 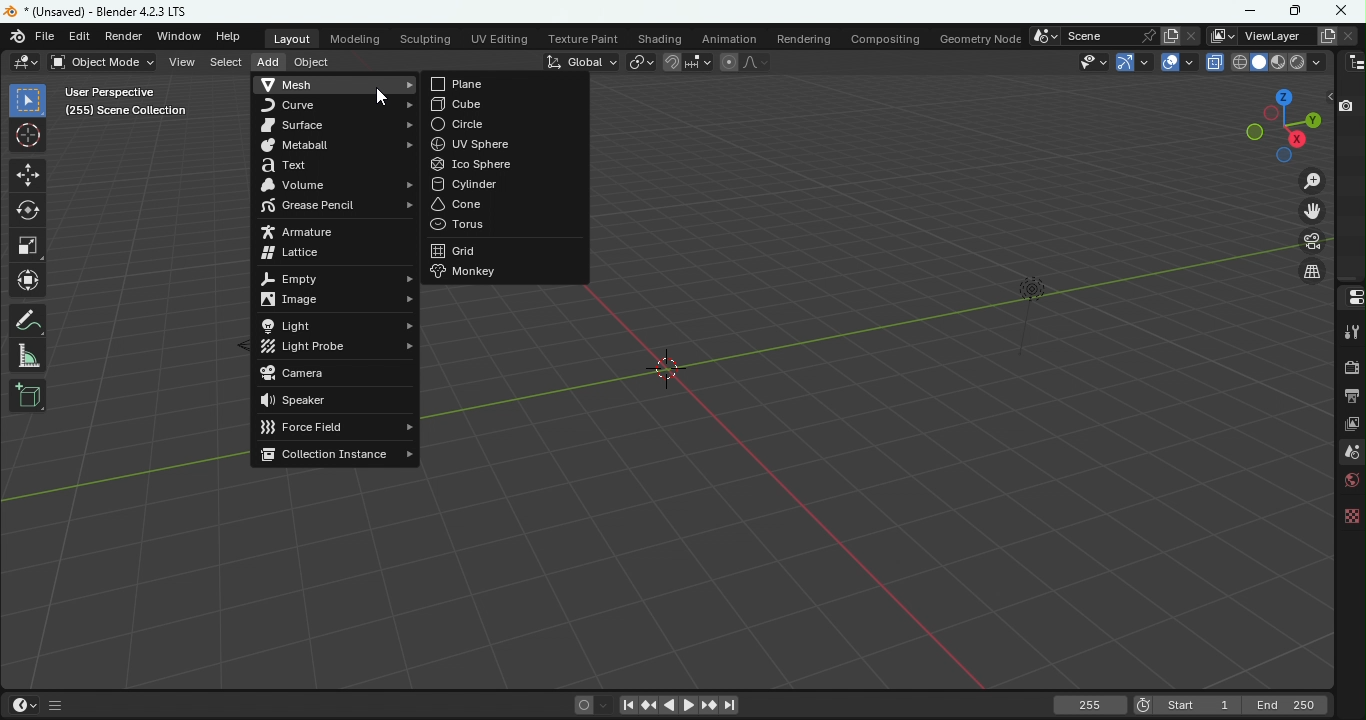 I want to click on Snapping, so click(x=702, y=63).